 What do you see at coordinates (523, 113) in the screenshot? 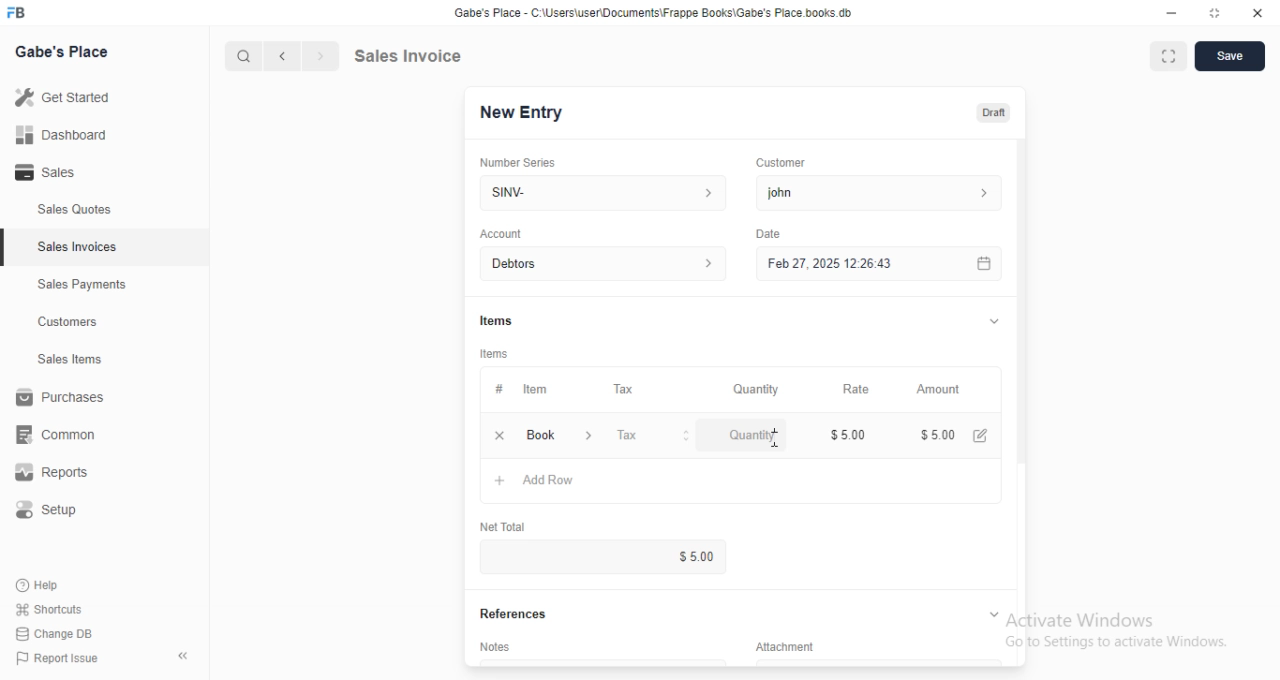
I see `New Entry` at bounding box center [523, 113].